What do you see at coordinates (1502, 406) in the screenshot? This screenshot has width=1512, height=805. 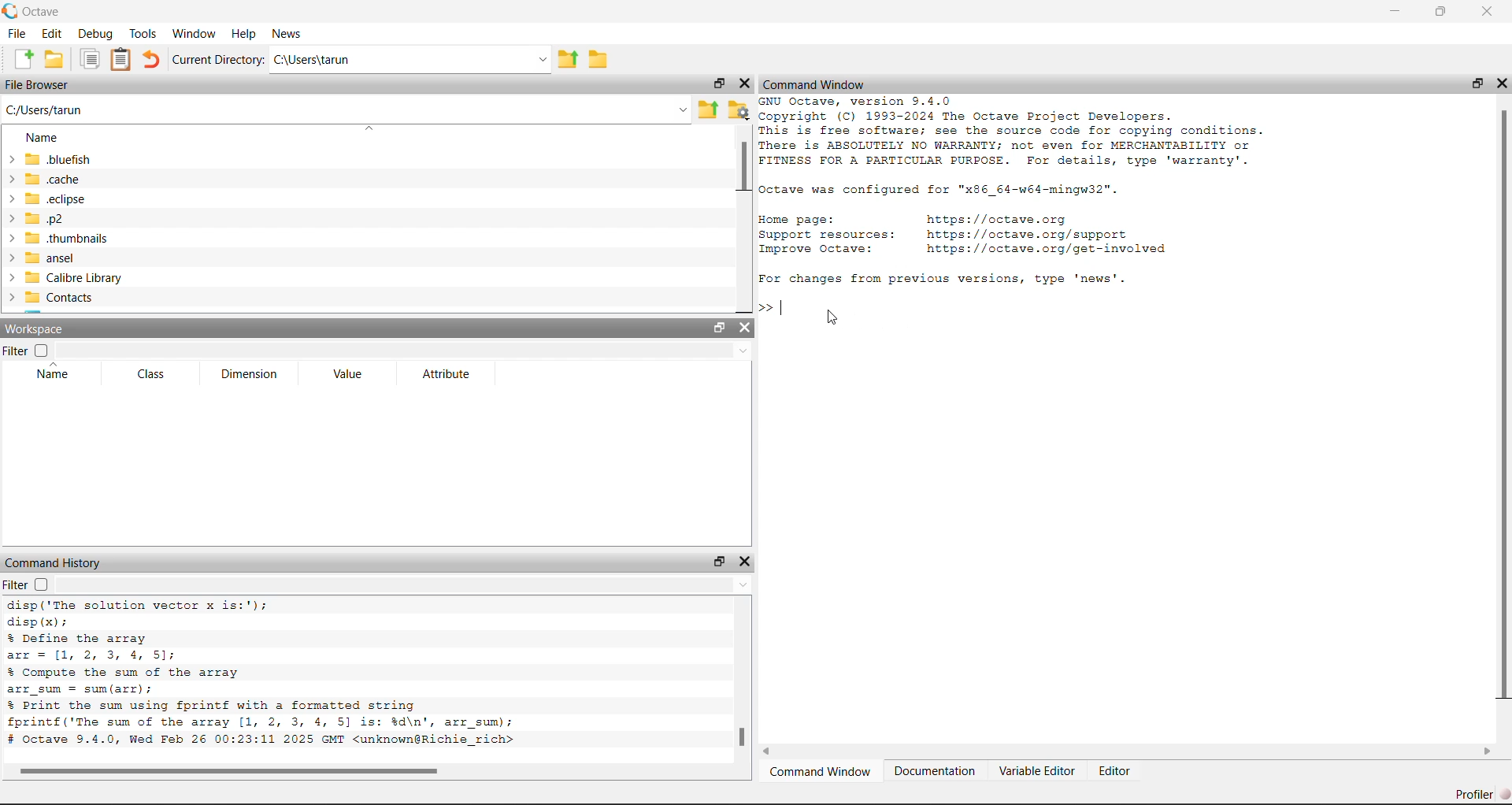 I see `Scrollbar` at bounding box center [1502, 406].